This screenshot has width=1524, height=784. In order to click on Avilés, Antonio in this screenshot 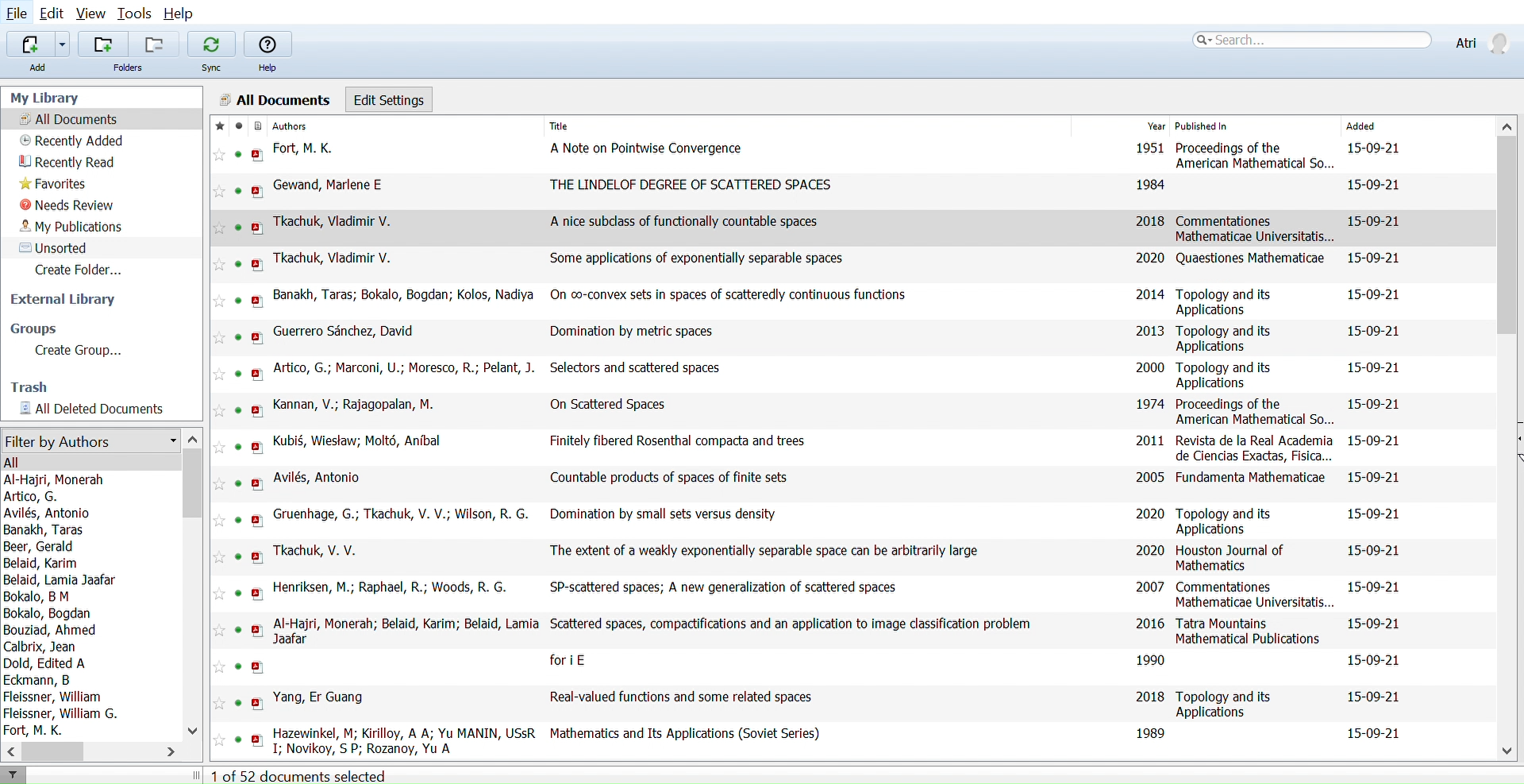, I will do `click(317, 476)`.